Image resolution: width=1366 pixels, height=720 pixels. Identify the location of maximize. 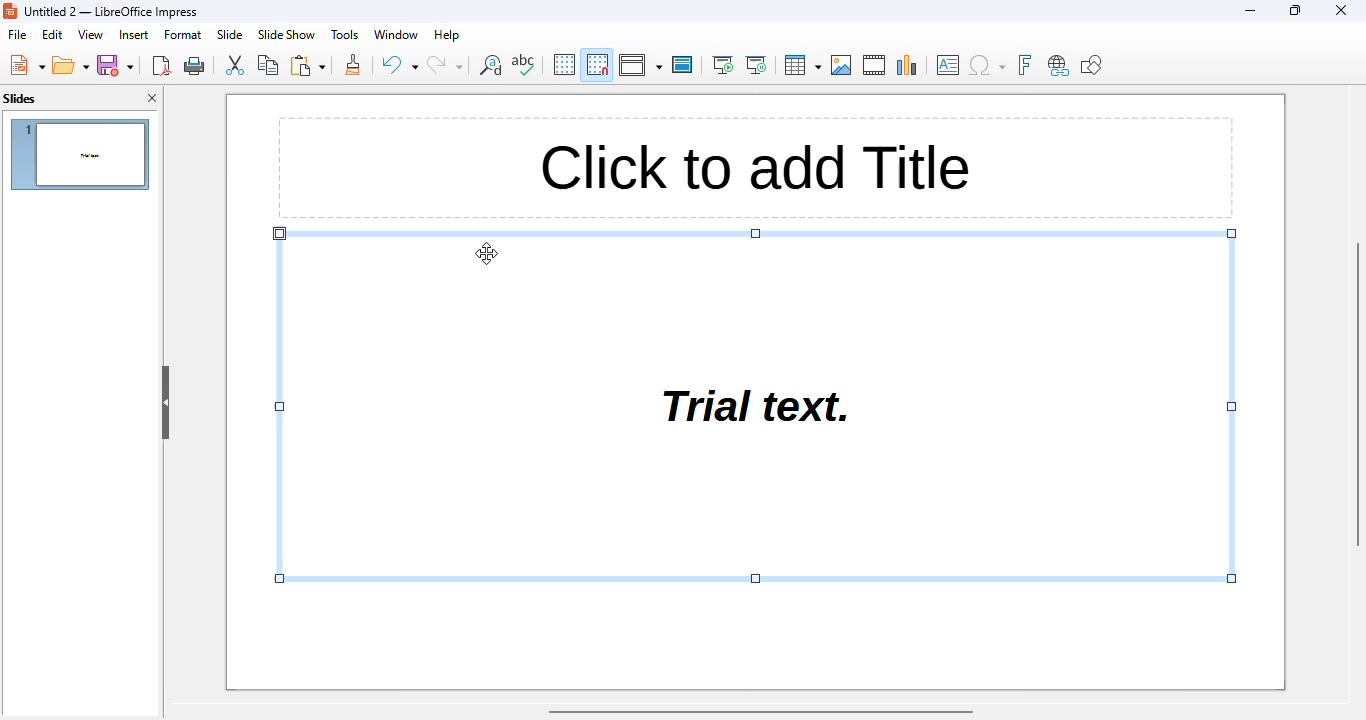
(1295, 9).